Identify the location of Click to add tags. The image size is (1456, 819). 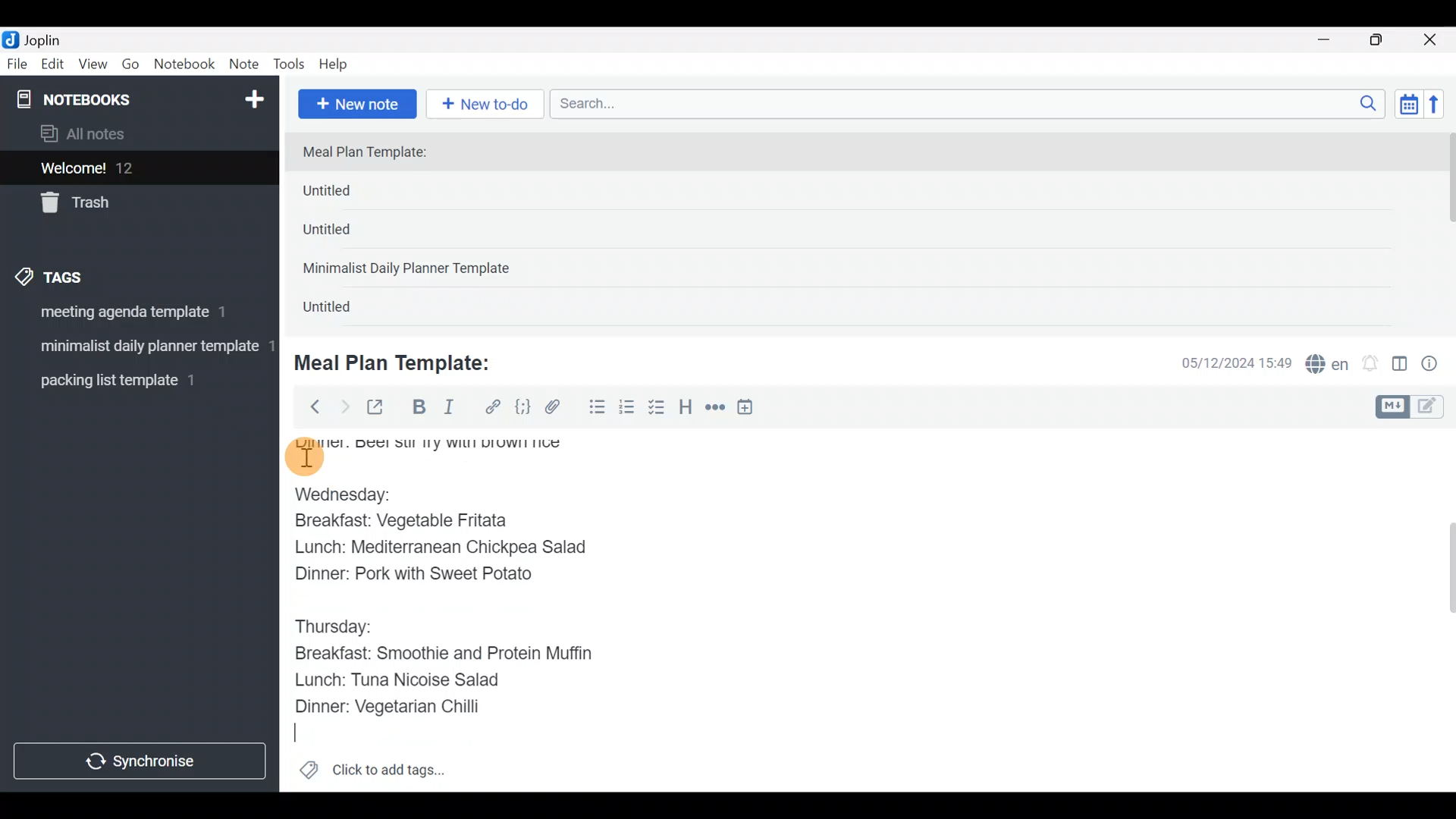
(372, 775).